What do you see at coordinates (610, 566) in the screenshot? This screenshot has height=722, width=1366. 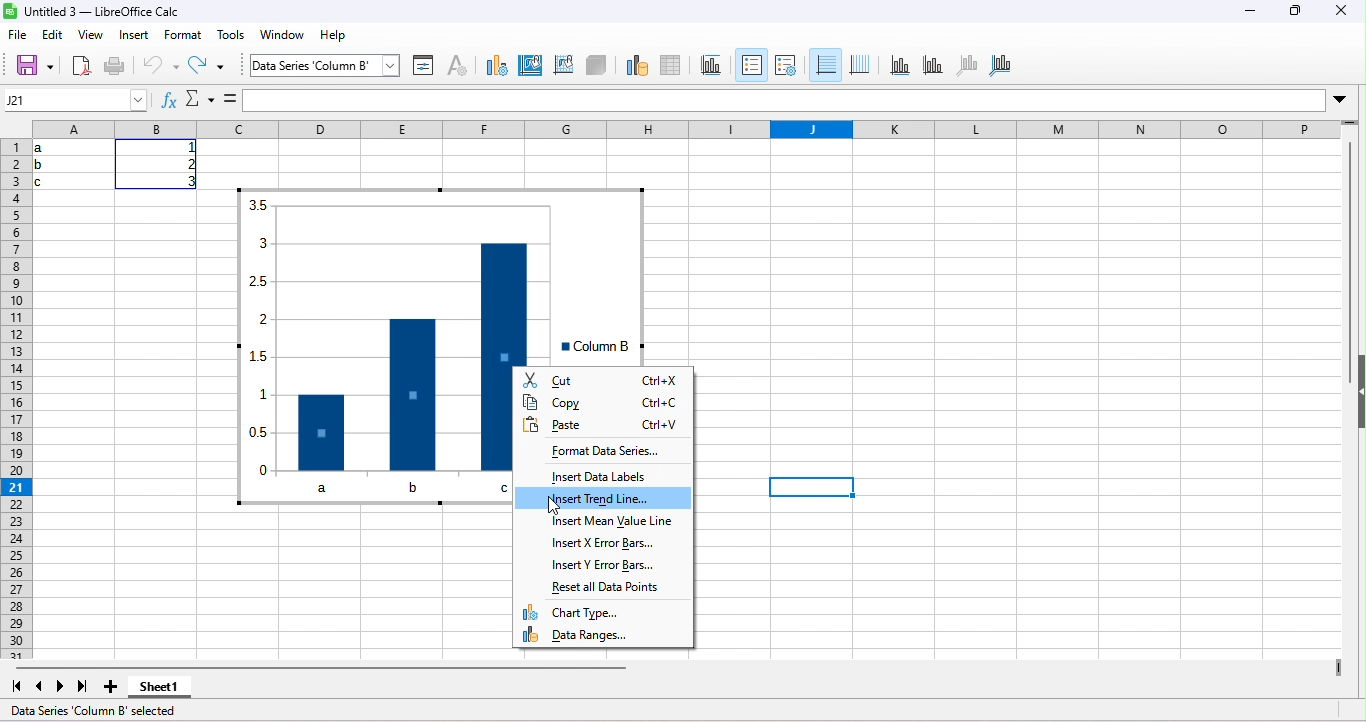 I see `insert y error bar` at bounding box center [610, 566].